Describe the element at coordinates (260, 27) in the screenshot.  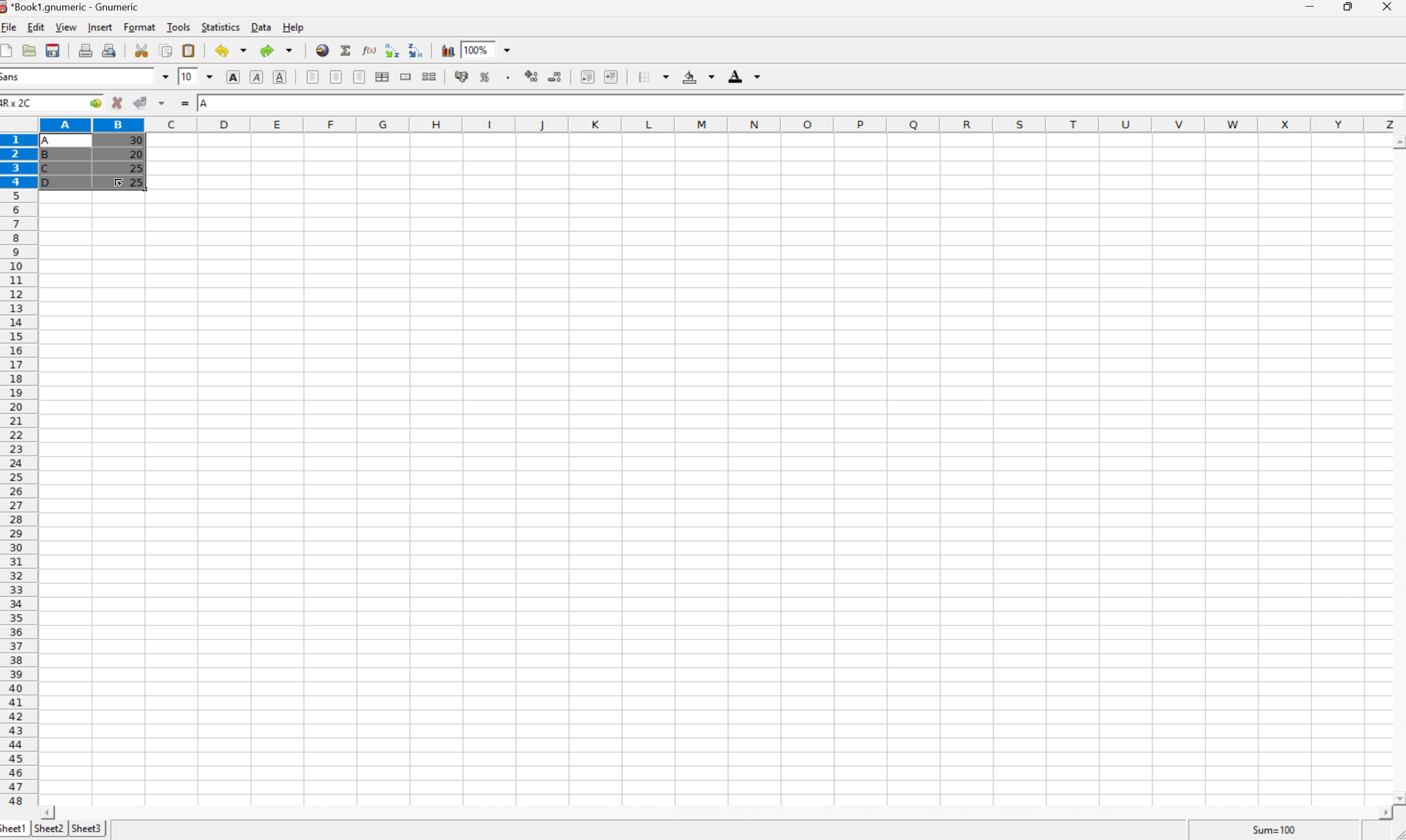
I see `Data` at that location.